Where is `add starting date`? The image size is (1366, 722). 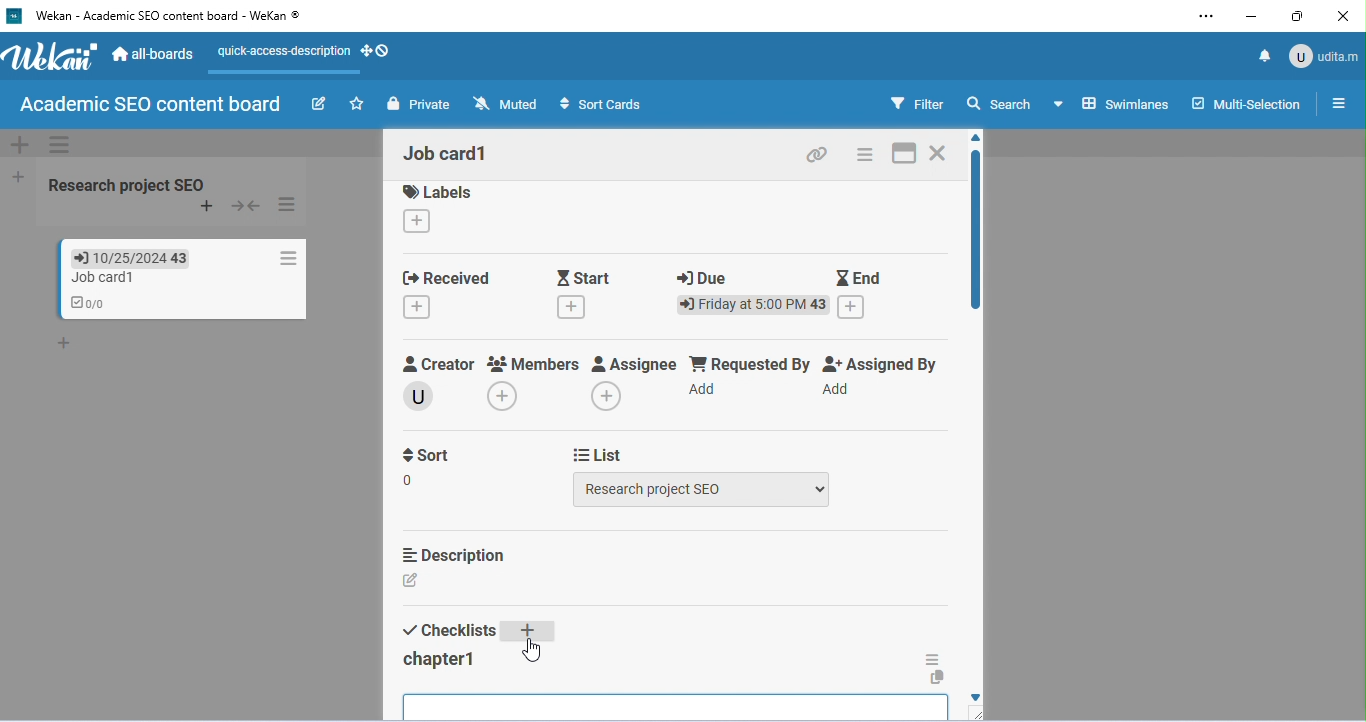 add starting date is located at coordinates (573, 309).